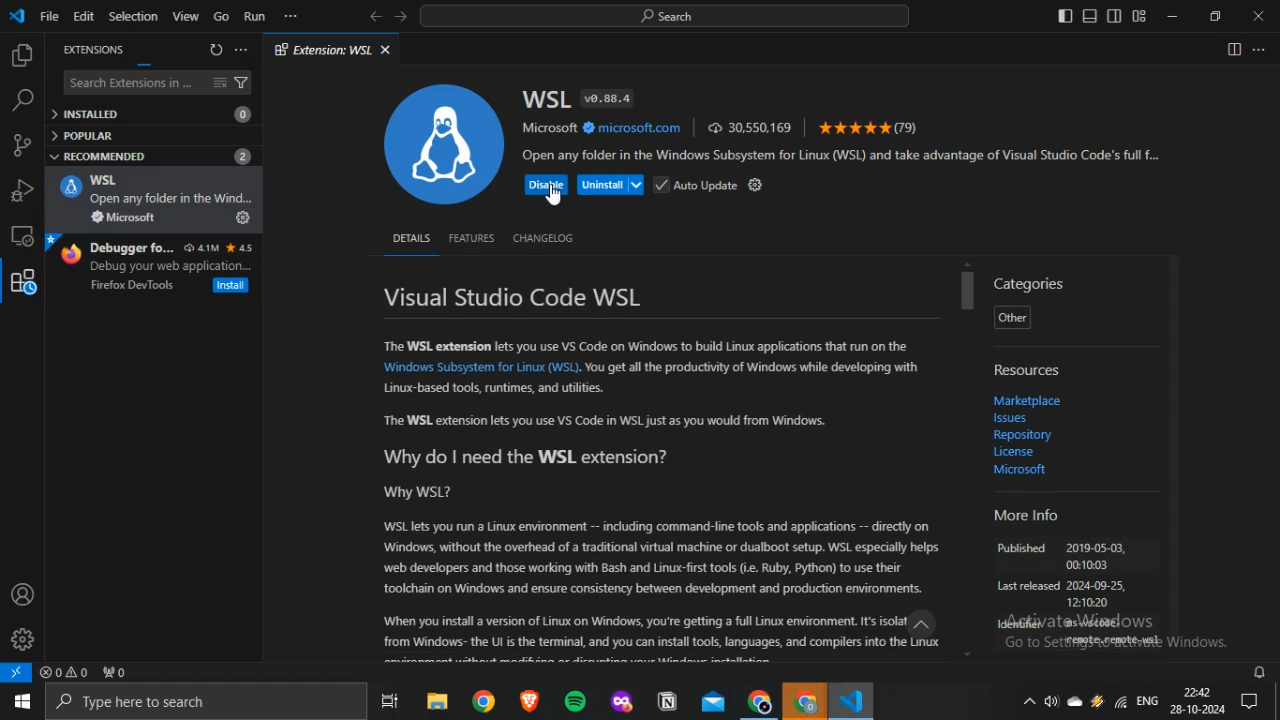 The height and width of the screenshot is (720, 1280). I want to click on 121020, so click(1088, 604).